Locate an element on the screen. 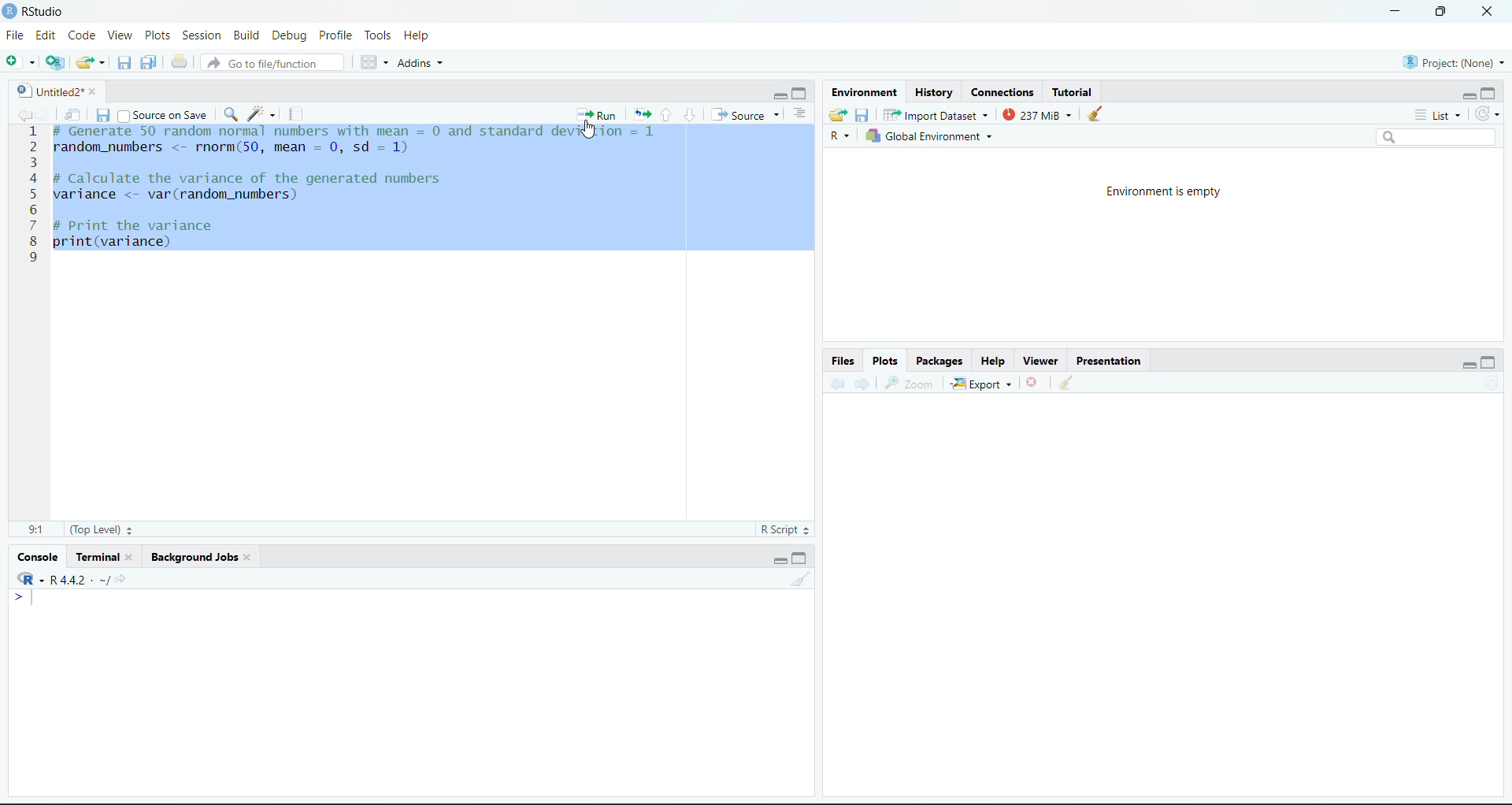  search file is located at coordinates (271, 63).